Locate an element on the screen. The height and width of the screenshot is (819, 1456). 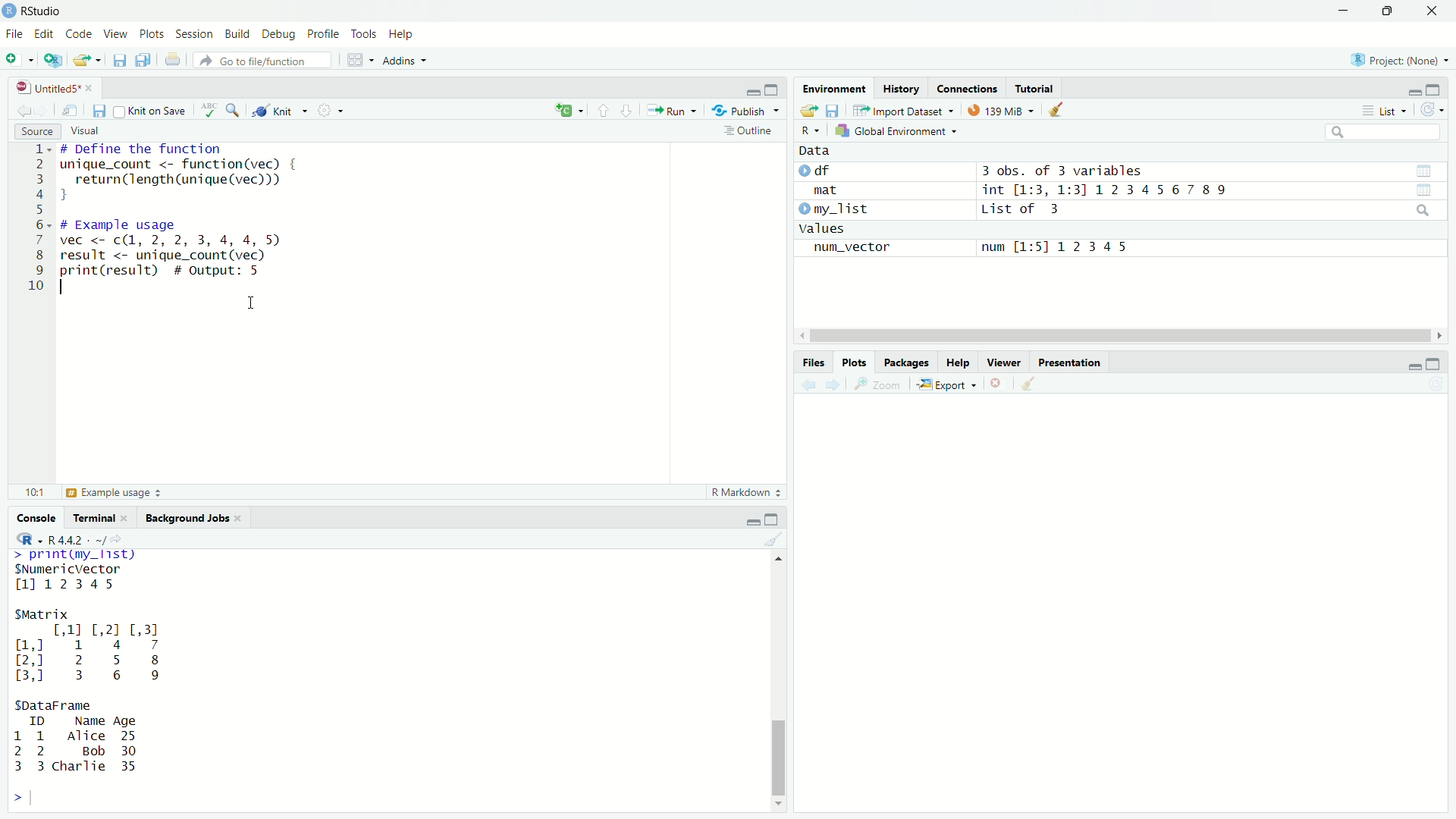
search bar is located at coordinates (1385, 131).